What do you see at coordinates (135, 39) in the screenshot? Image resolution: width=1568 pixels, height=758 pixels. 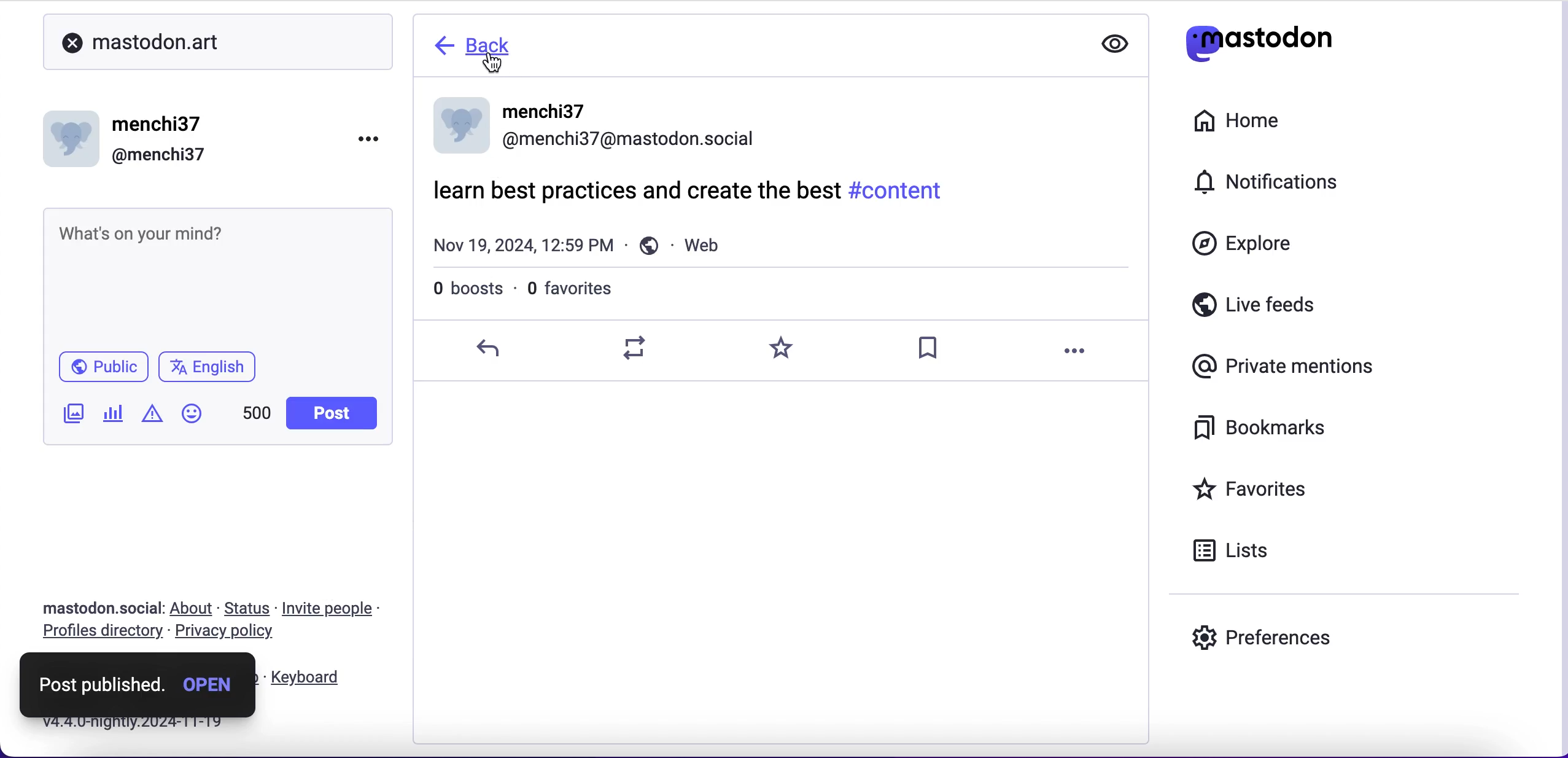 I see `mastodon.art` at bounding box center [135, 39].